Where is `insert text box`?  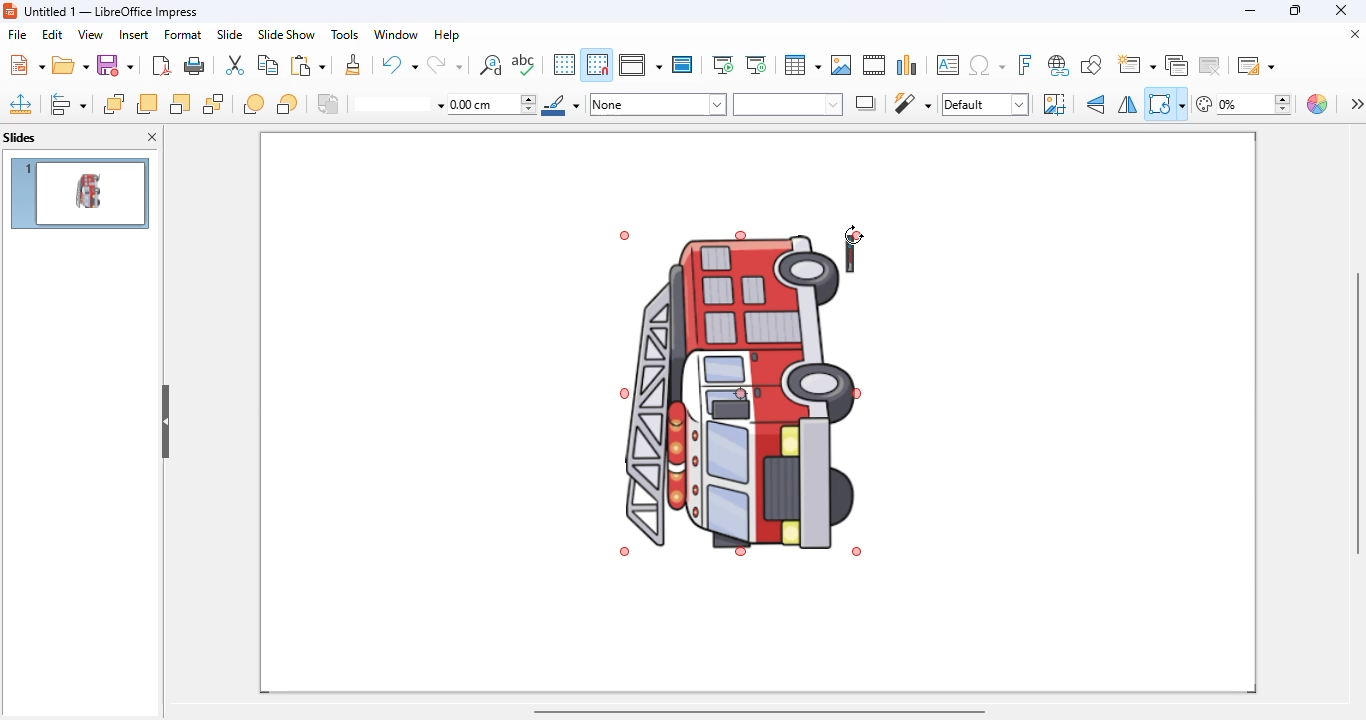
insert text box is located at coordinates (947, 65).